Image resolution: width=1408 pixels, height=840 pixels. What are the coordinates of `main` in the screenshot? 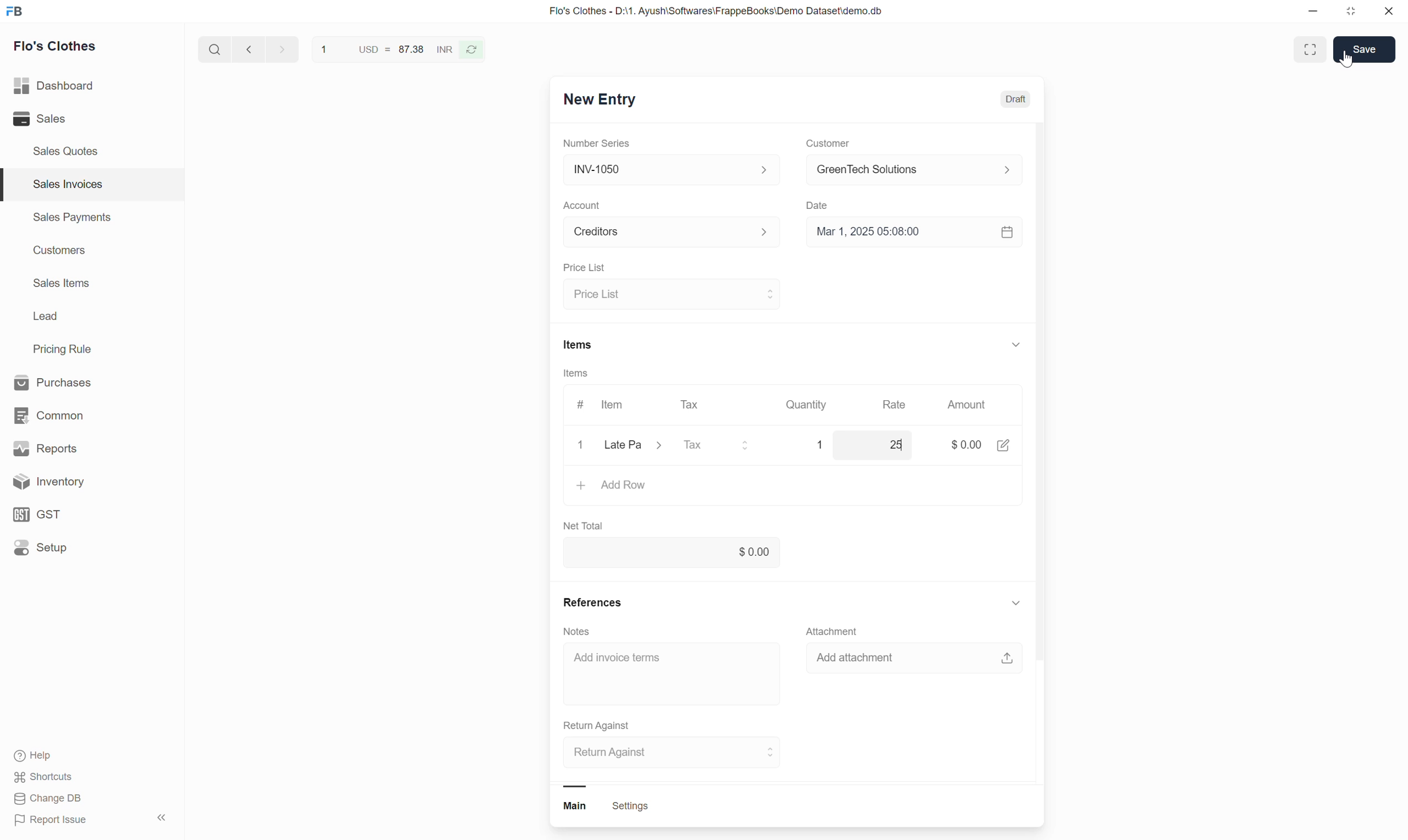 It's located at (580, 808).